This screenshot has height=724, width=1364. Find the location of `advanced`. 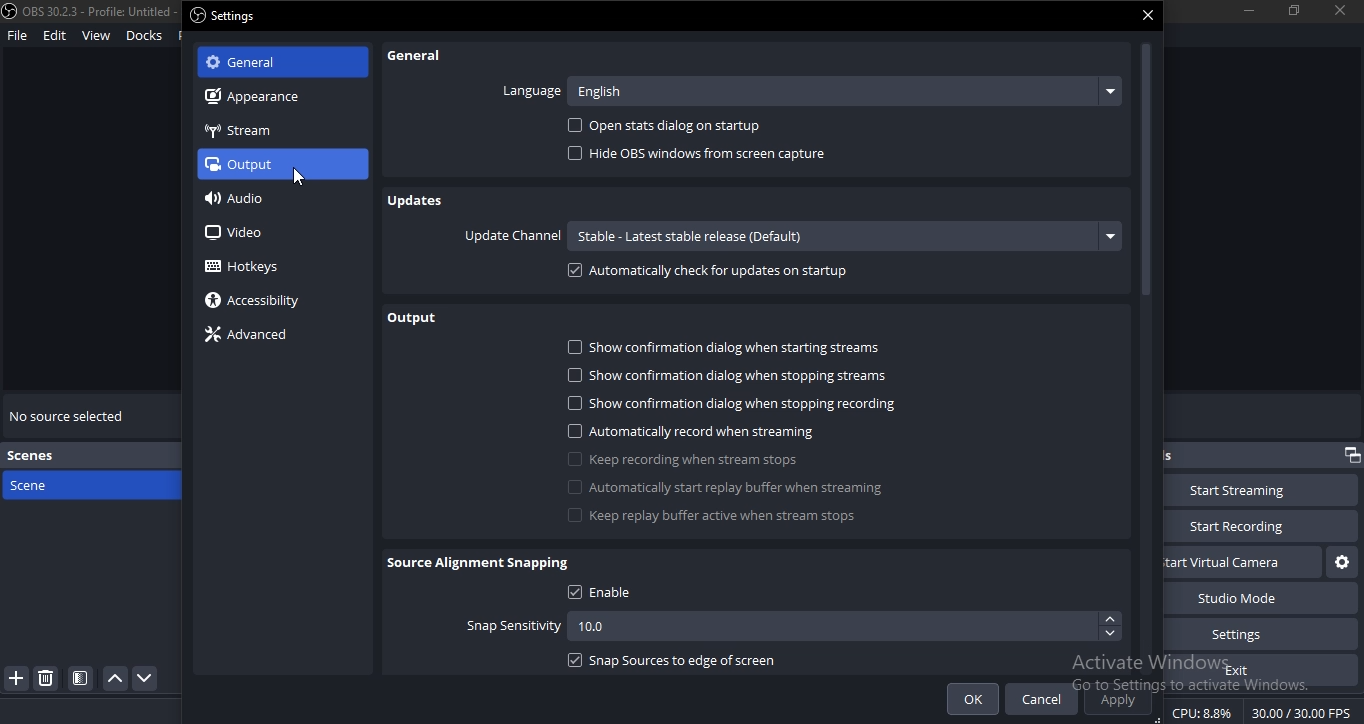

advanced is located at coordinates (251, 335).